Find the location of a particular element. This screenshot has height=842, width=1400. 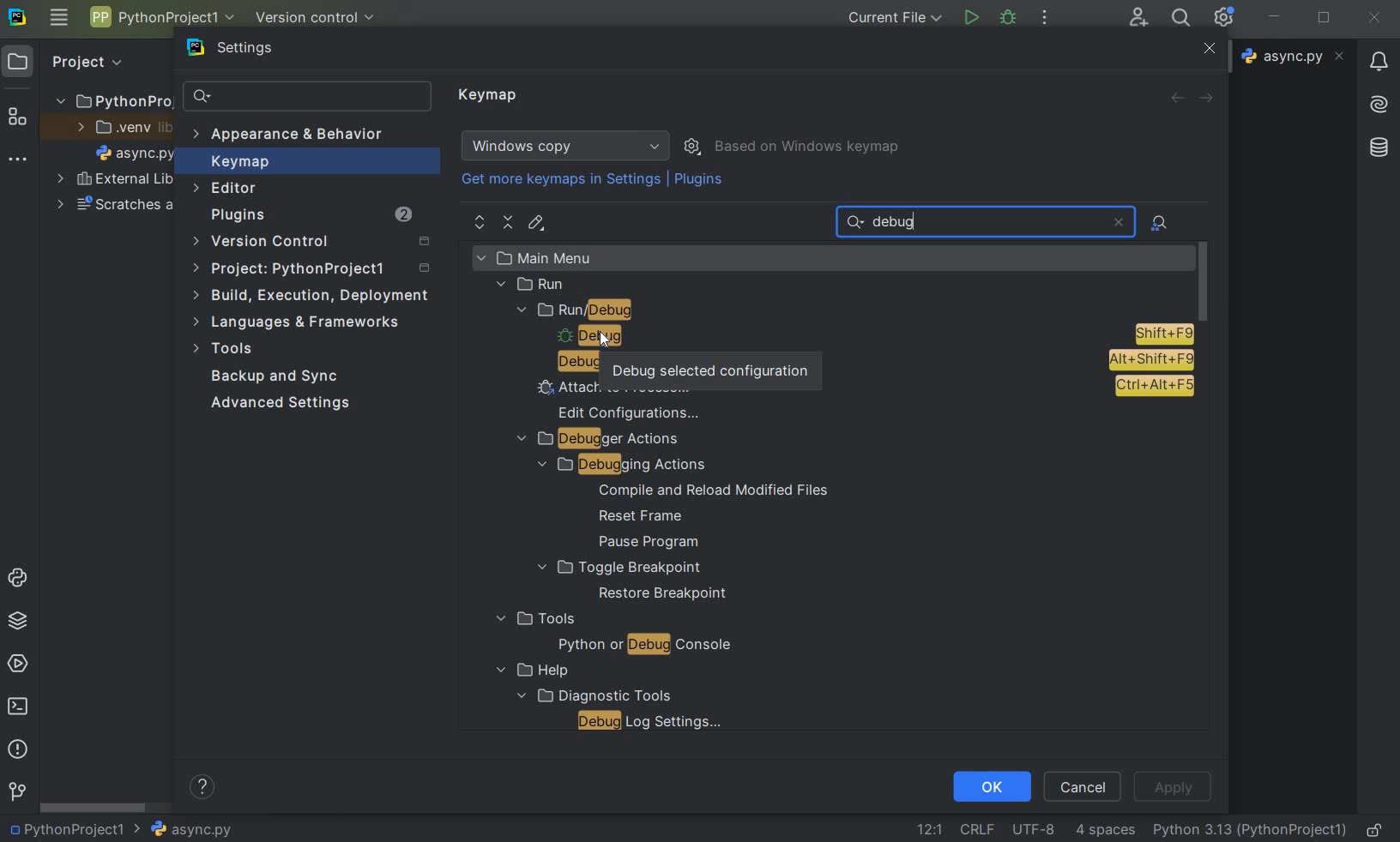

services is located at coordinates (20, 663).